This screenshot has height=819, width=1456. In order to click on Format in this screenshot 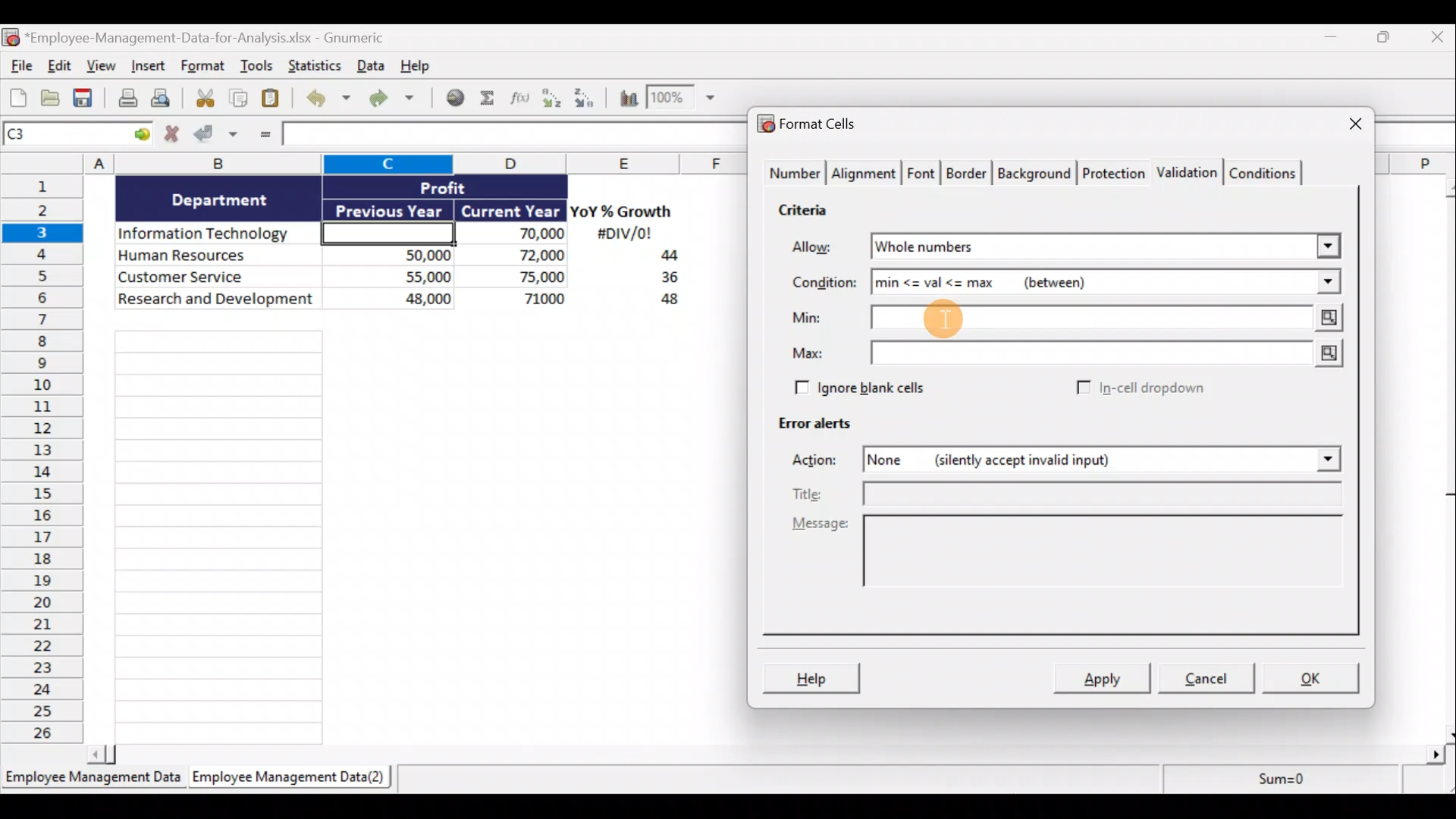, I will do `click(203, 68)`.